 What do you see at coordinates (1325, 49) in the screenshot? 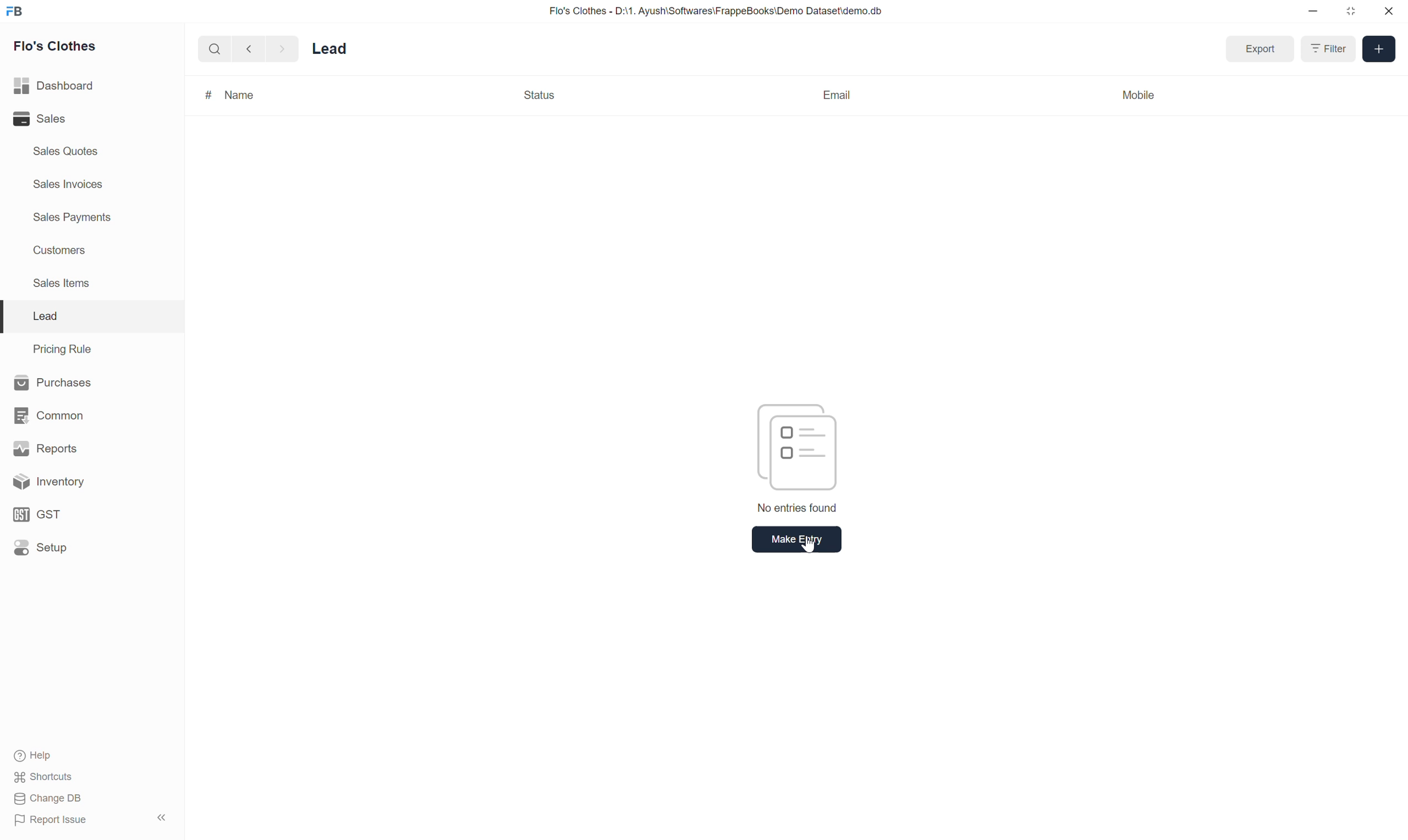
I see `Filter` at bounding box center [1325, 49].